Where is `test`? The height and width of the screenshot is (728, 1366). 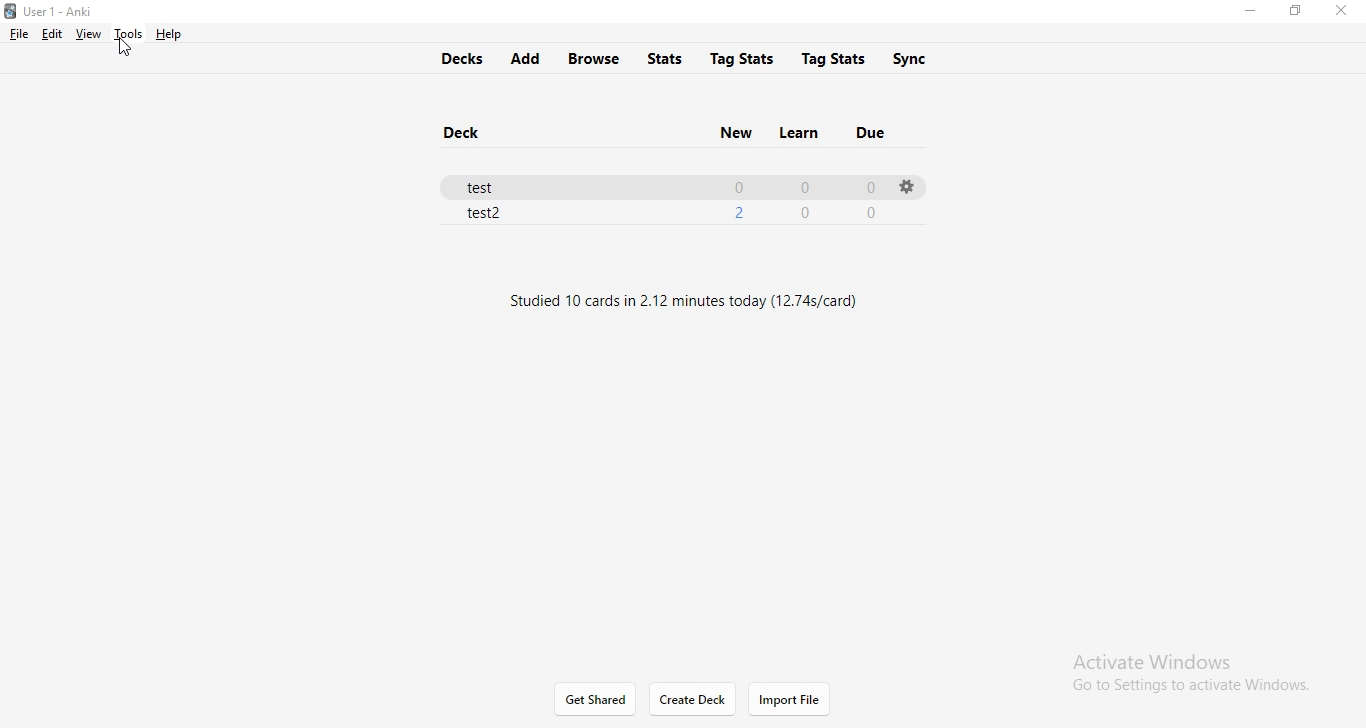 test is located at coordinates (660, 185).